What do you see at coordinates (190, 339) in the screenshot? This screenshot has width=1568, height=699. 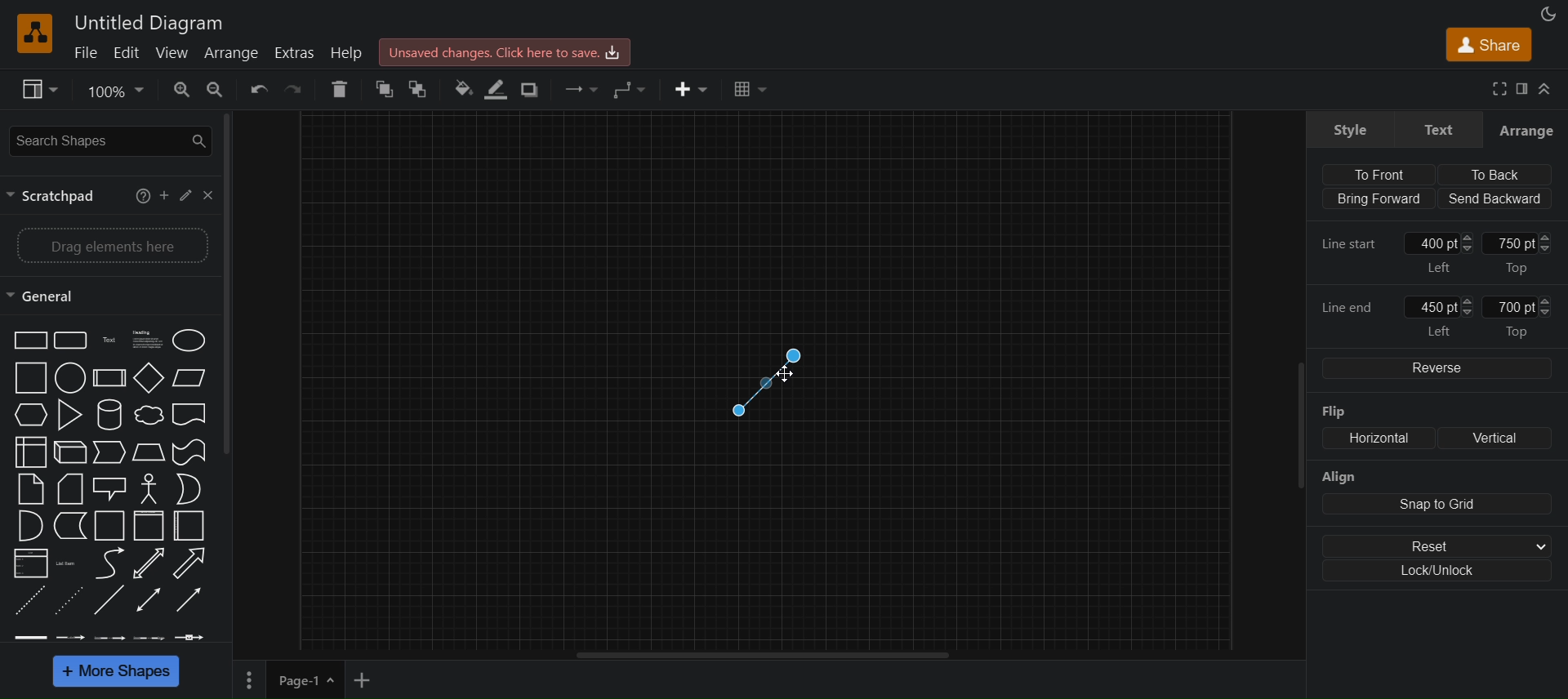 I see `Circle` at bounding box center [190, 339].